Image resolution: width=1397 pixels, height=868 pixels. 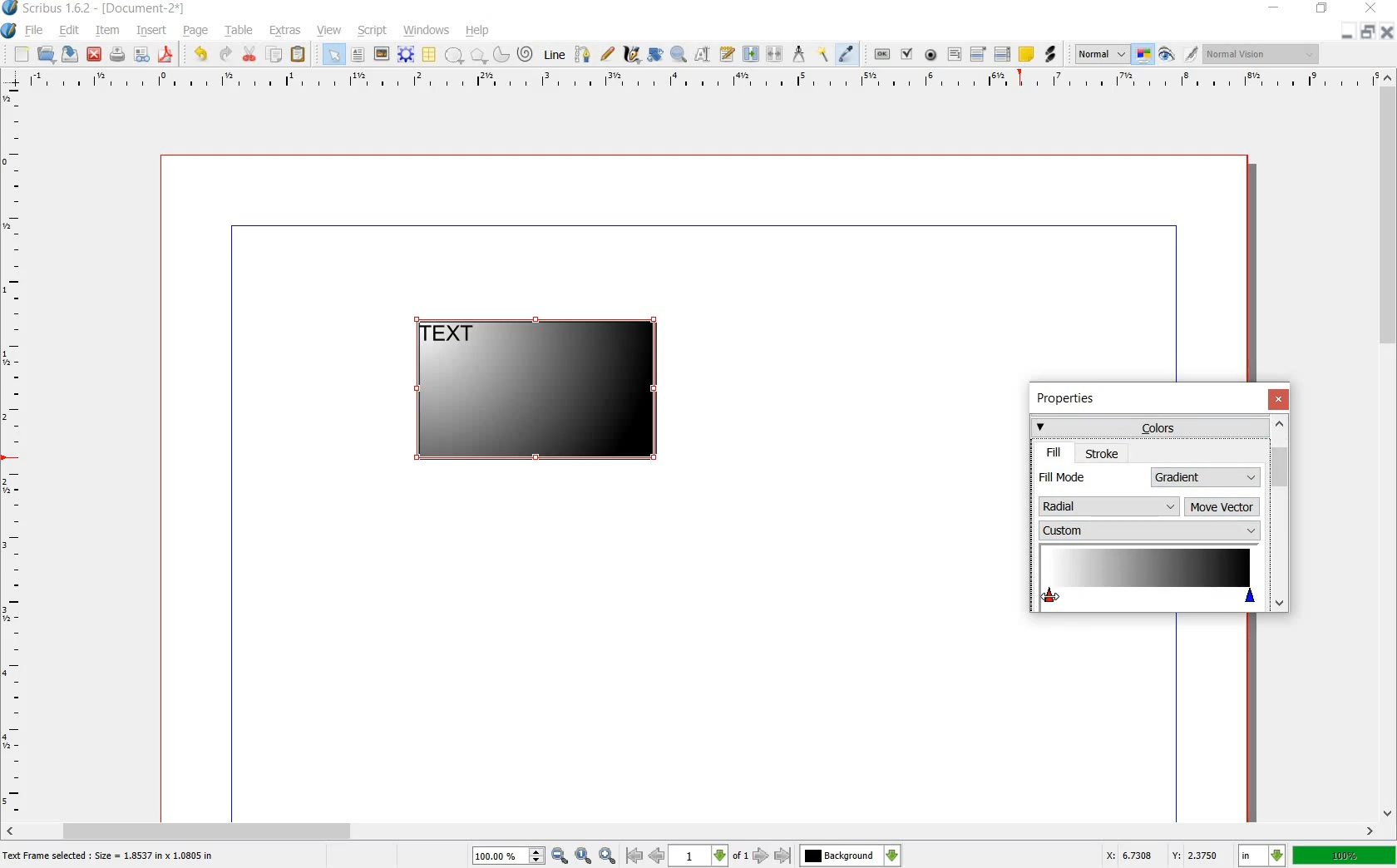 What do you see at coordinates (1192, 55) in the screenshot?
I see `edit in preview mode` at bounding box center [1192, 55].